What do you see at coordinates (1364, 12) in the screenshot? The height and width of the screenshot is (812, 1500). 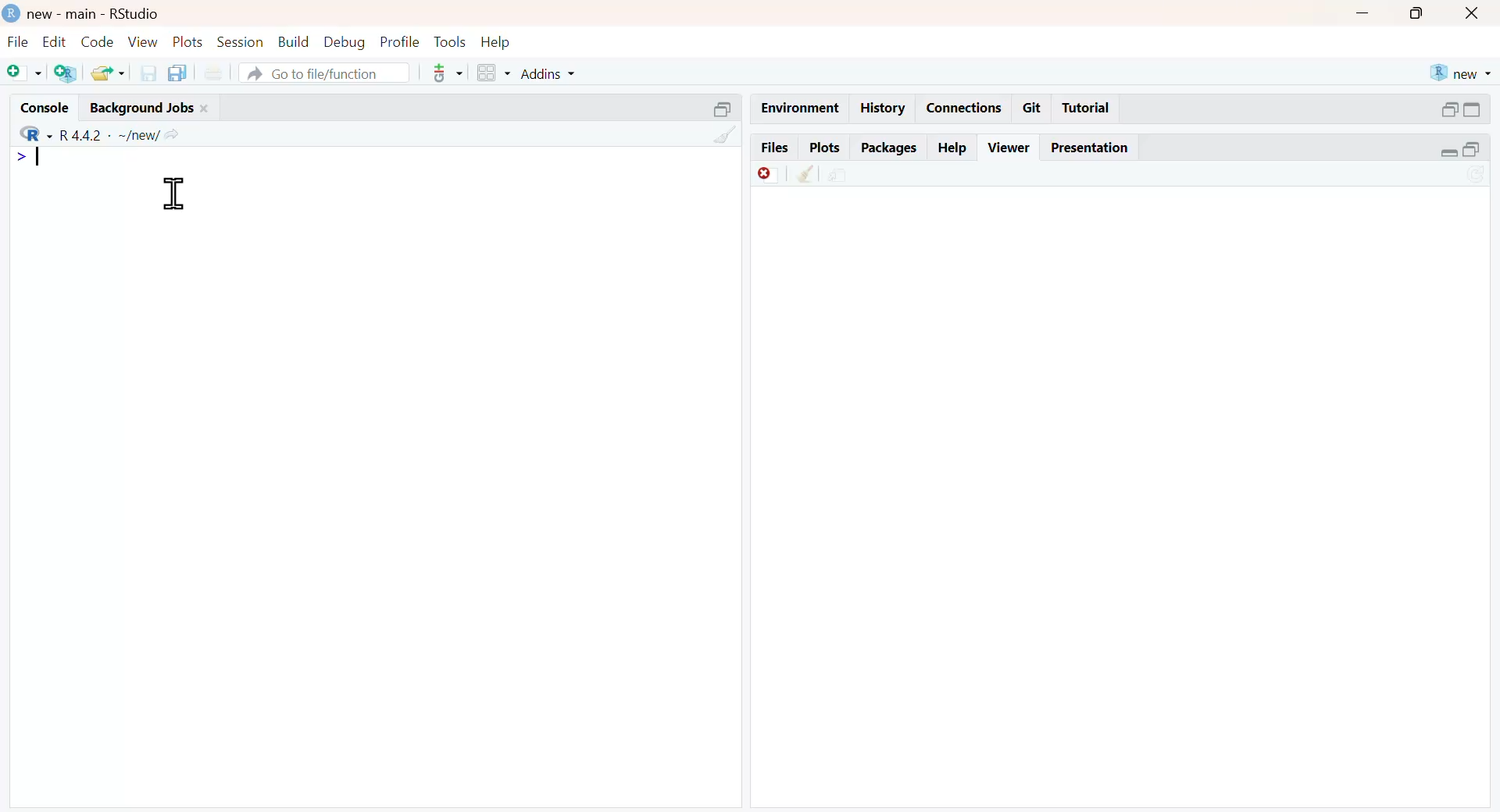 I see `minimise` at bounding box center [1364, 12].